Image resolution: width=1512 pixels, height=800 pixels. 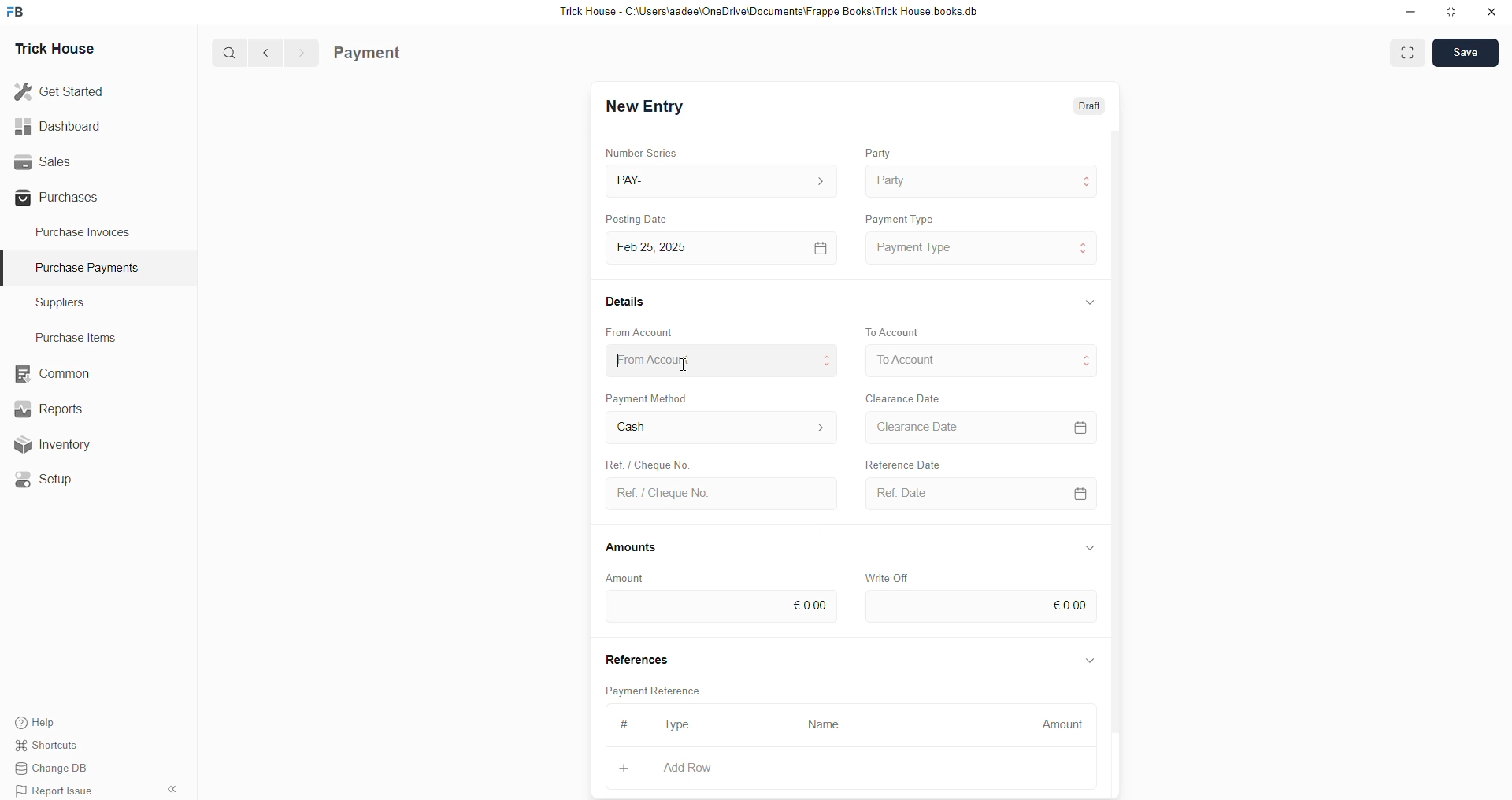 What do you see at coordinates (645, 331) in the screenshot?
I see `From Account` at bounding box center [645, 331].